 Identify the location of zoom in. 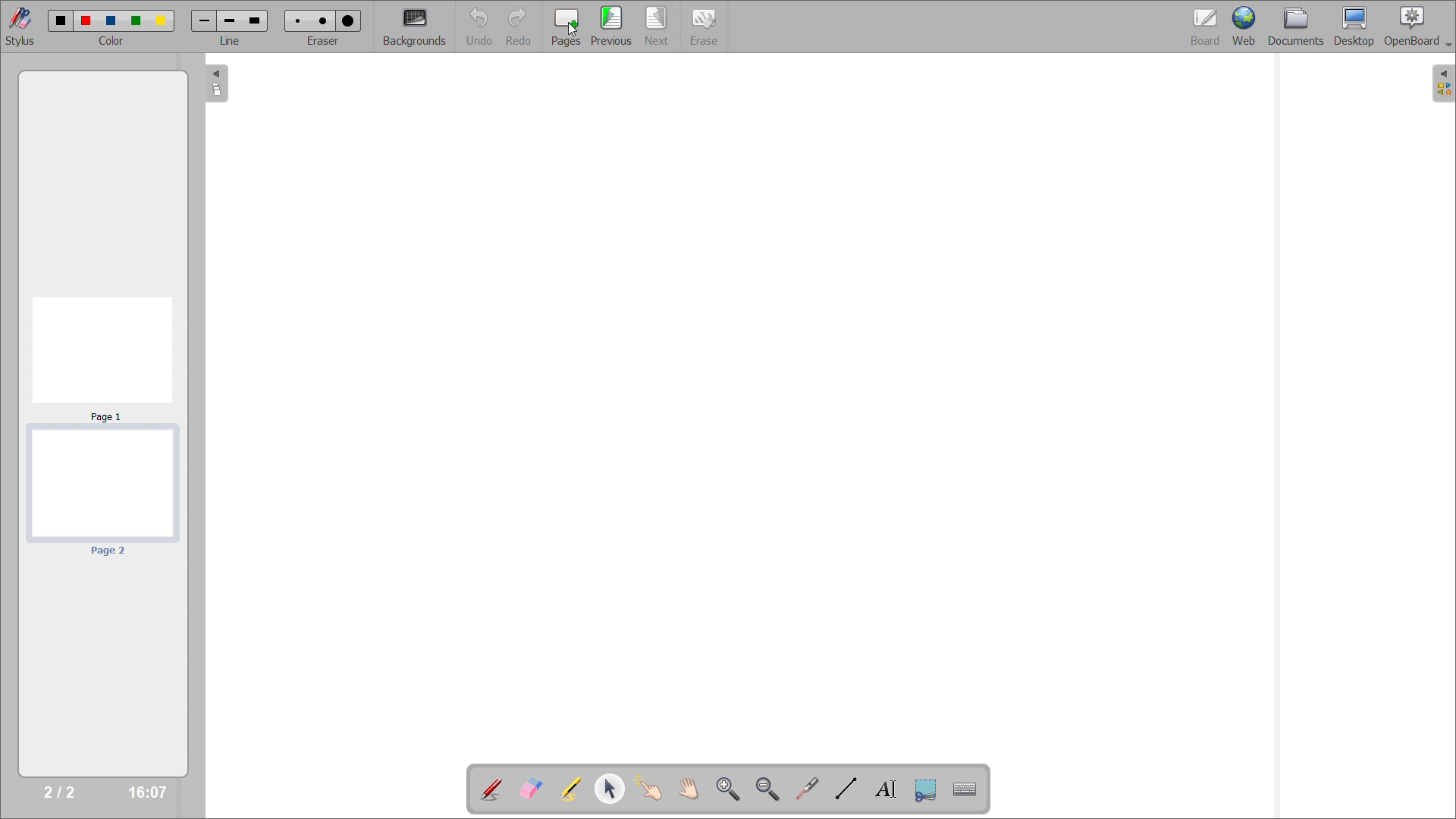
(730, 789).